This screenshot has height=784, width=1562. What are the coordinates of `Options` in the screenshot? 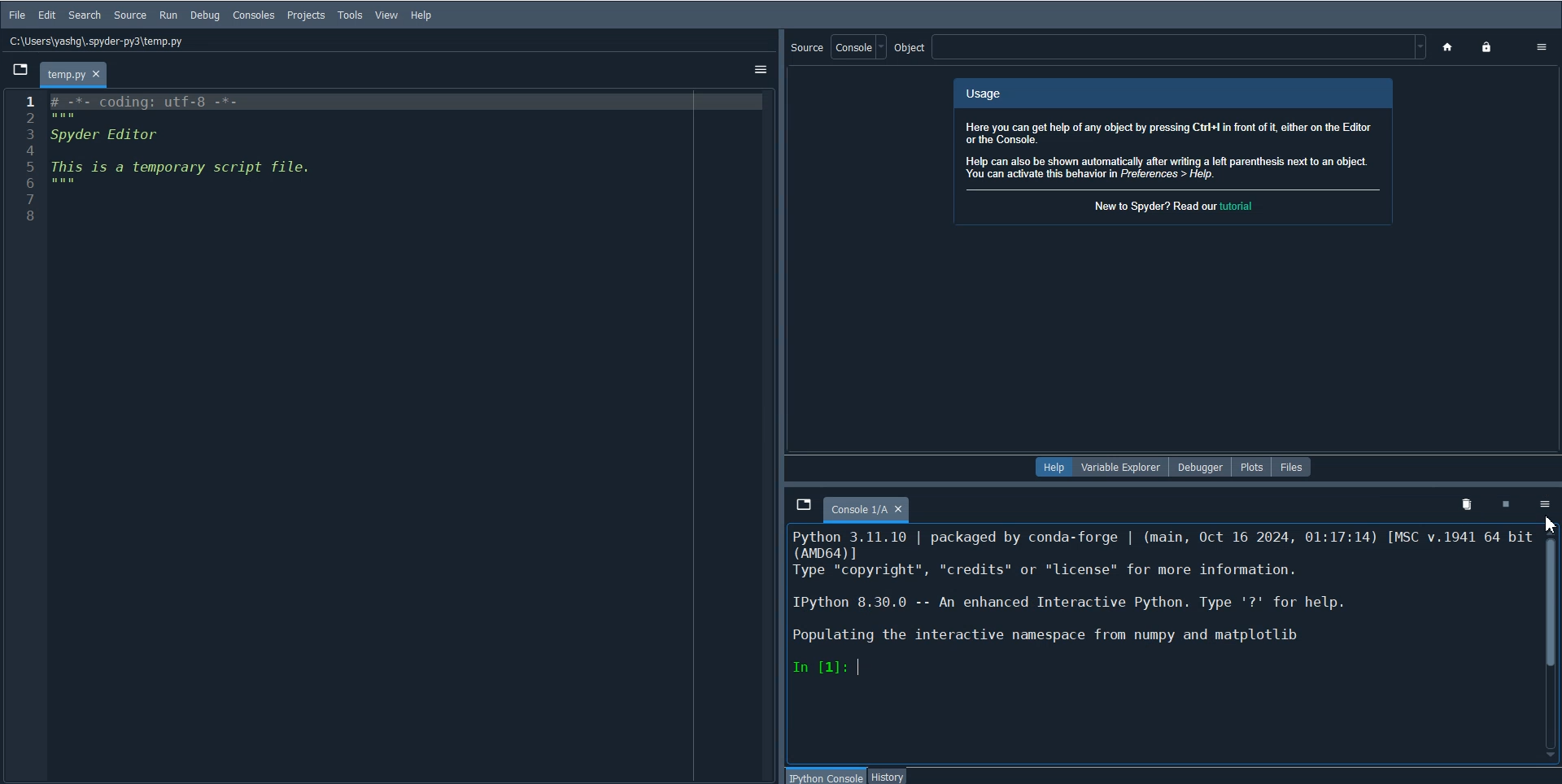 It's located at (1545, 505).